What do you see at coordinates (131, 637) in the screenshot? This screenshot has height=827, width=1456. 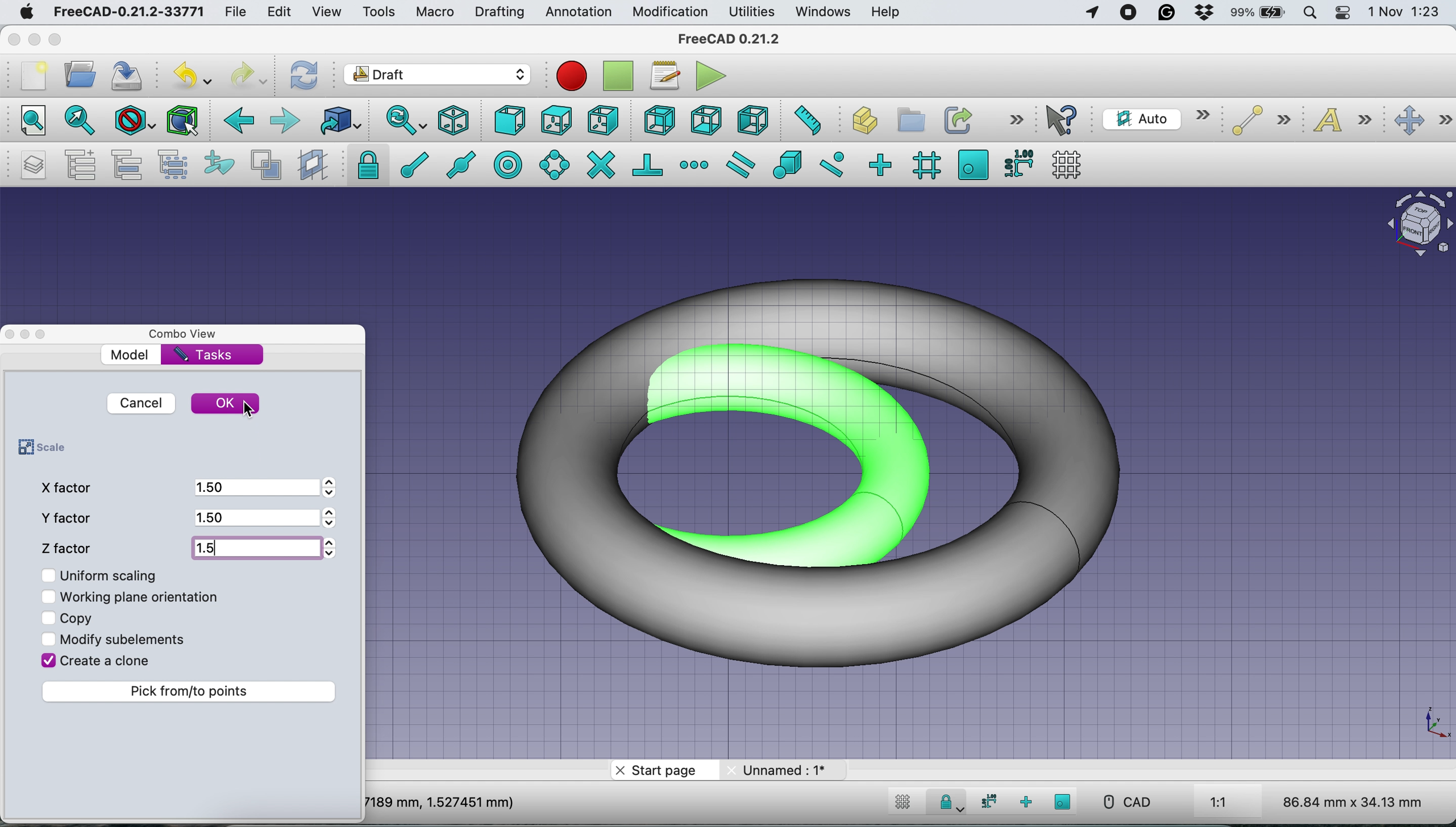 I see `modify sub elements` at bounding box center [131, 637].